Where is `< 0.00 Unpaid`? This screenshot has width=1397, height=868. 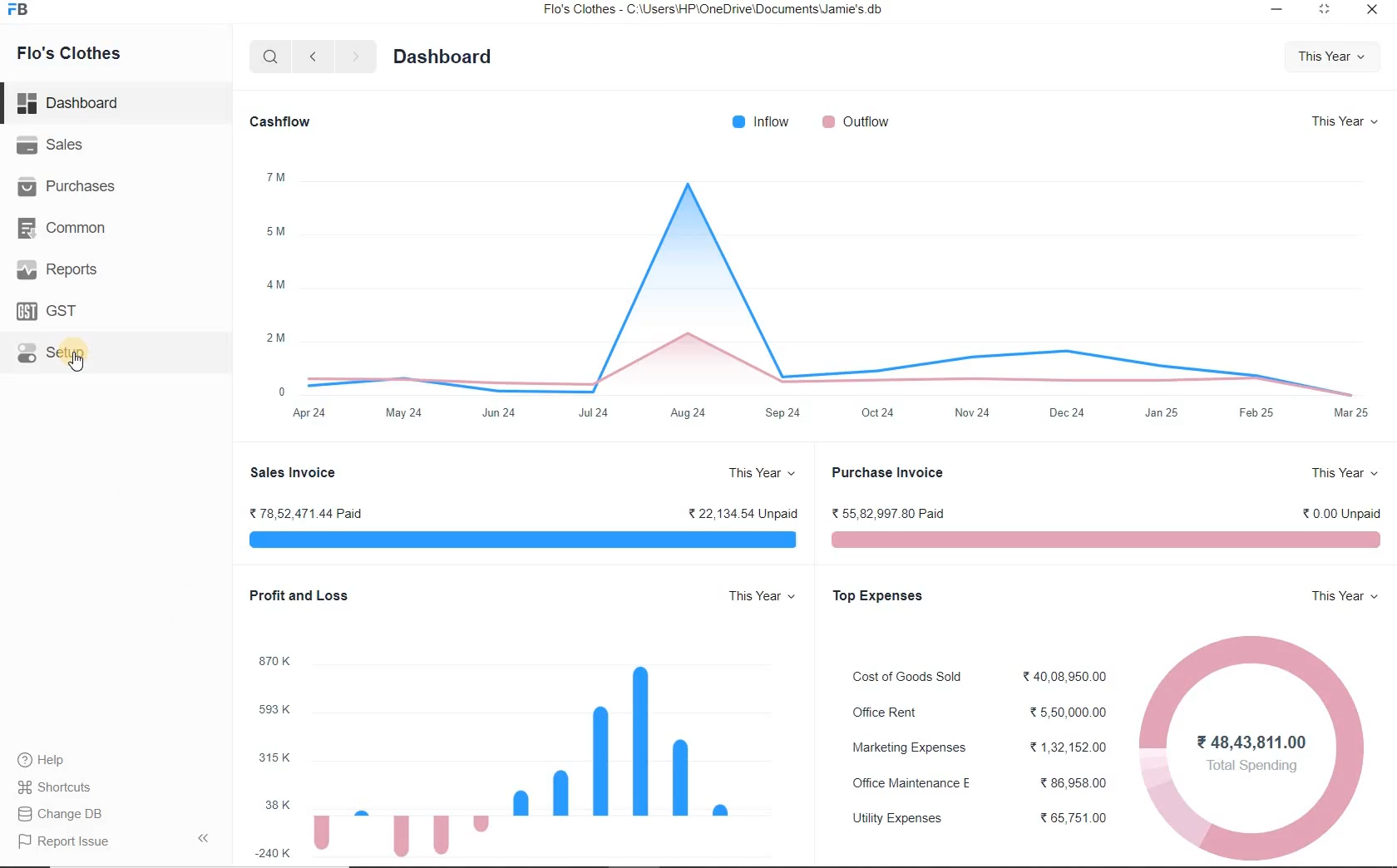 < 0.00 Unpaid is located at coordinates (1341, 515).